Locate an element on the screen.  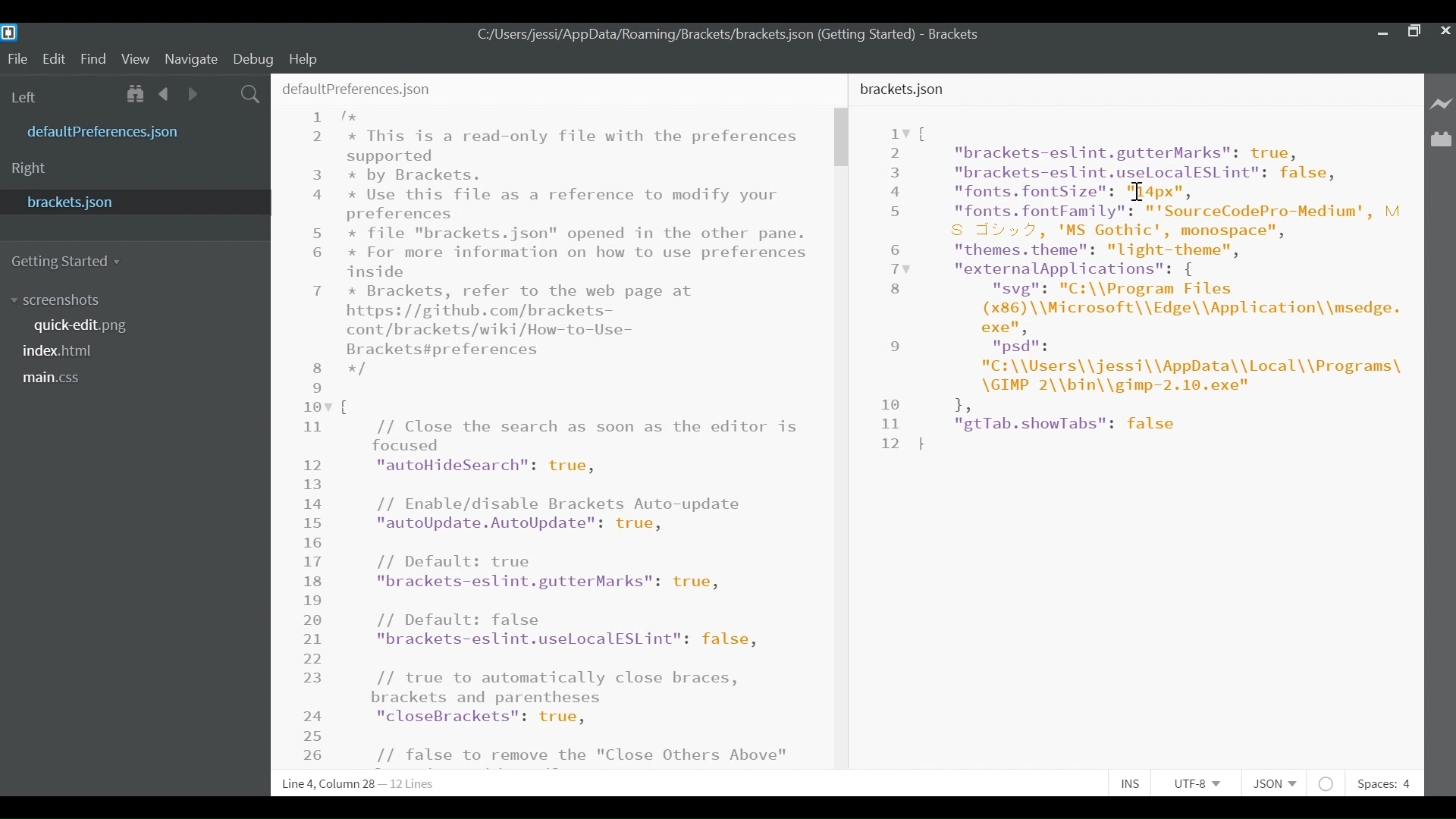
Line 6, Column 18 - 12 Lines is located at coordinates (357, 785).